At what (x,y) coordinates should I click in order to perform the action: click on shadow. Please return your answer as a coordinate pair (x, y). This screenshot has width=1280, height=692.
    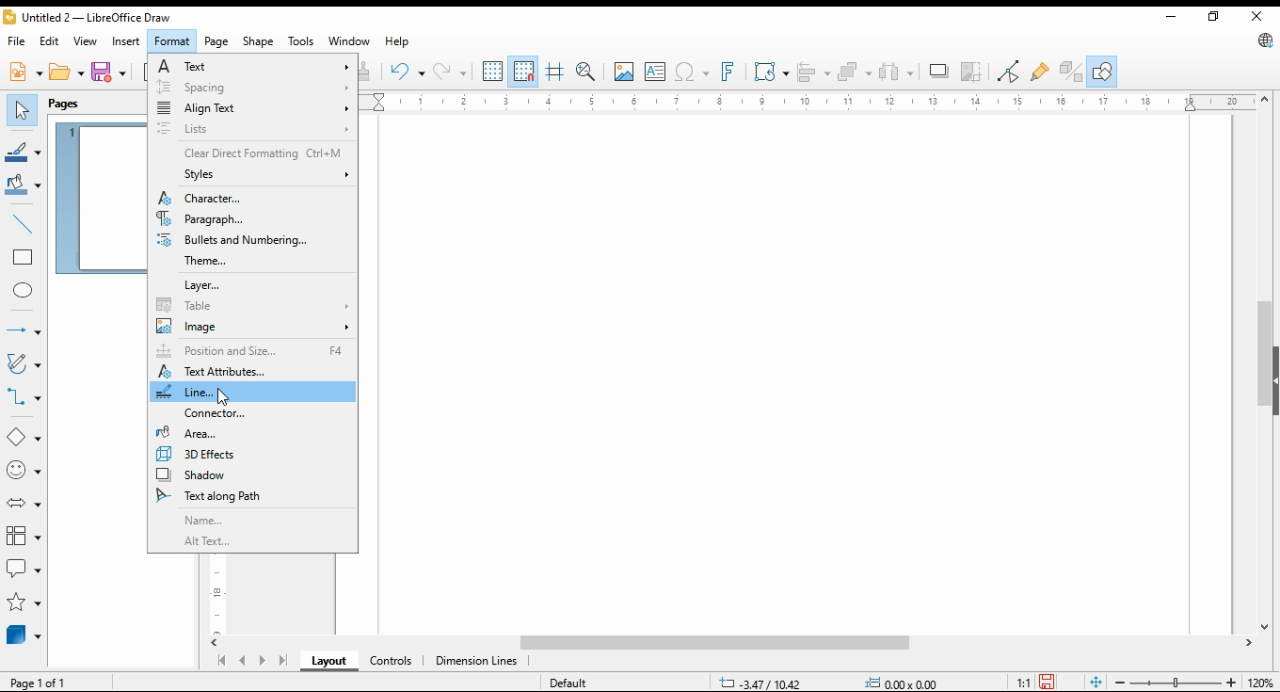
    Looking at the image, I should click on (939, 71).